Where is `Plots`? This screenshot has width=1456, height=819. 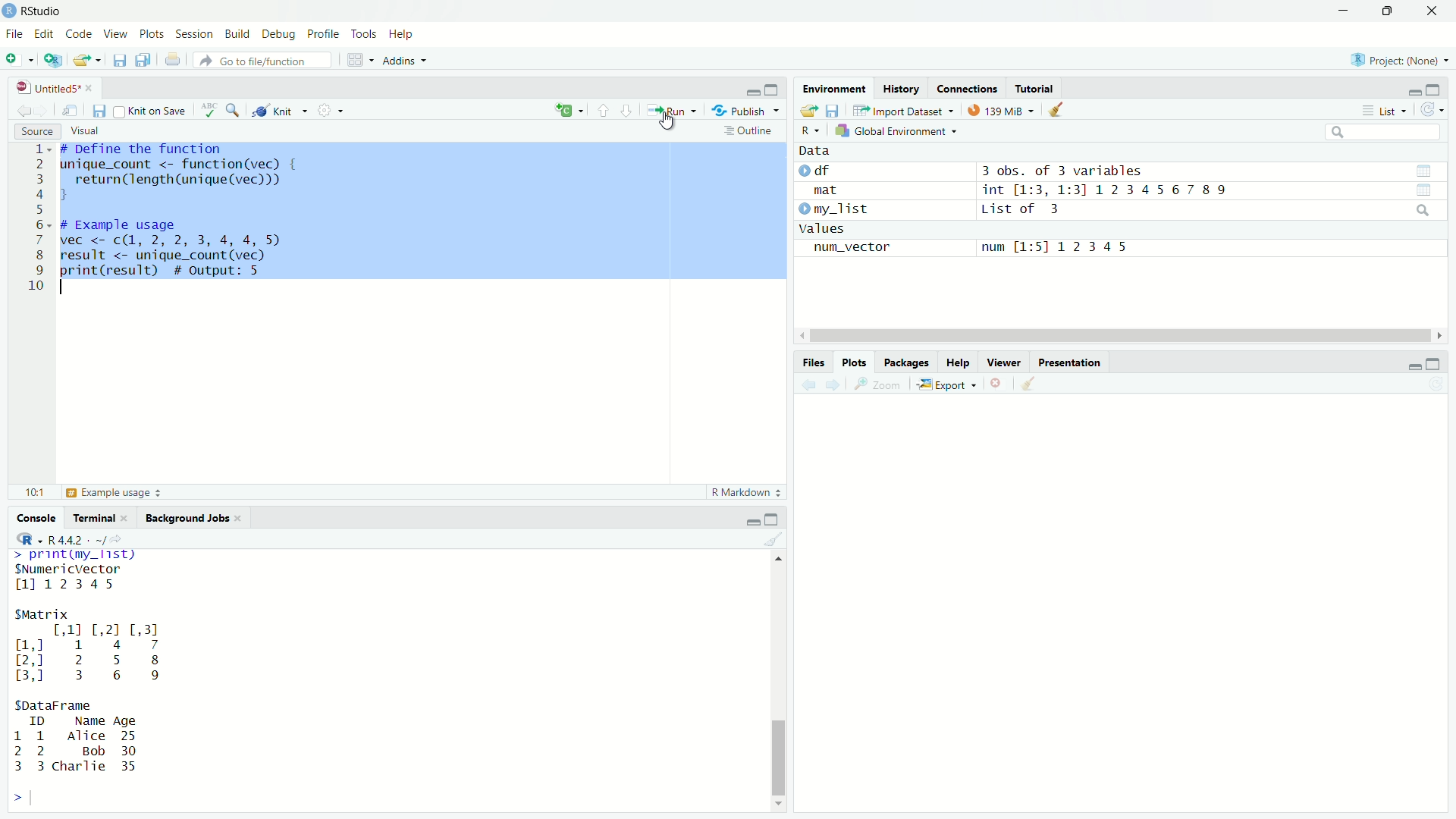
Plots is located at coordinates (152, 34).